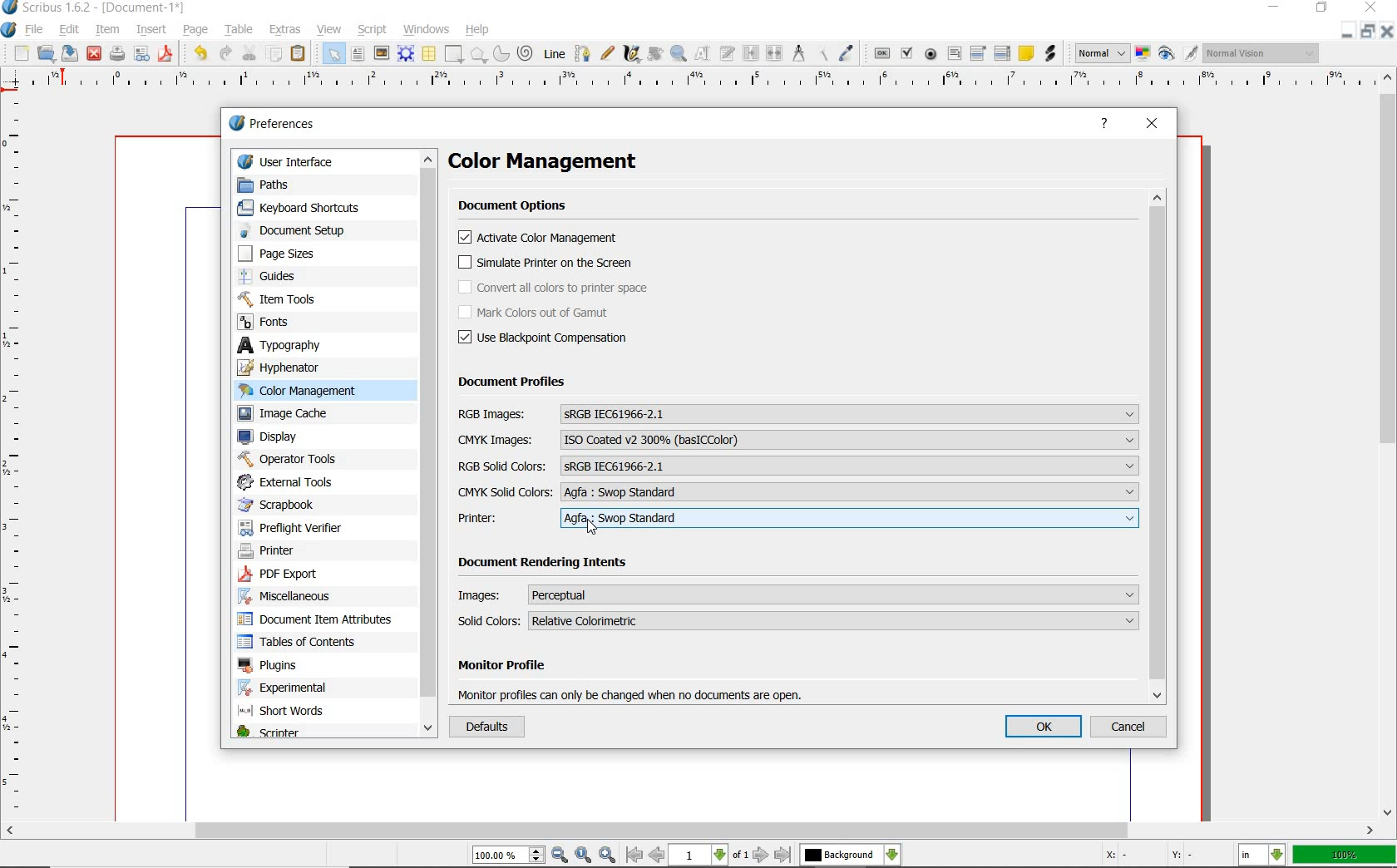 The height and width of the screenshot is (868, 1397). What do you see at coordinates (311, 598) in the screenshot?
I see `miscellaneous` at bounding box center [311, 598].